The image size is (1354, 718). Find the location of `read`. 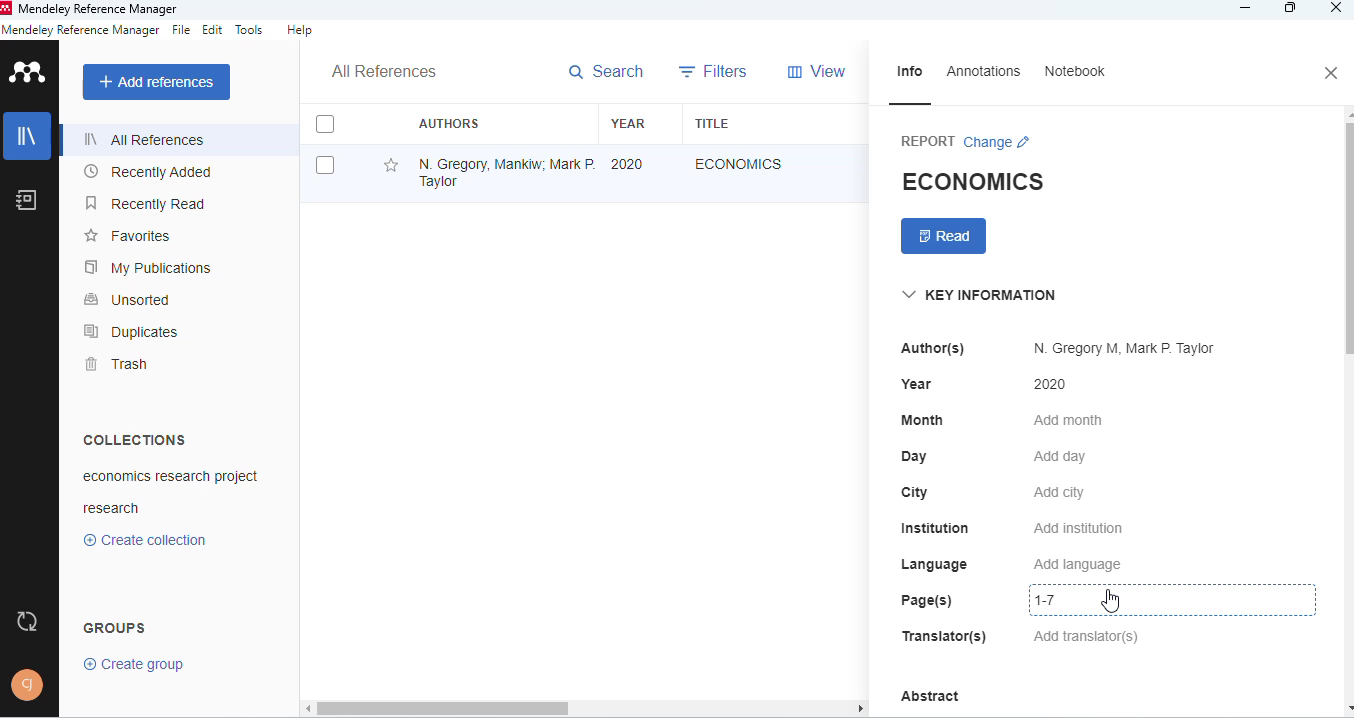

read is located at coordinates (944, 236).